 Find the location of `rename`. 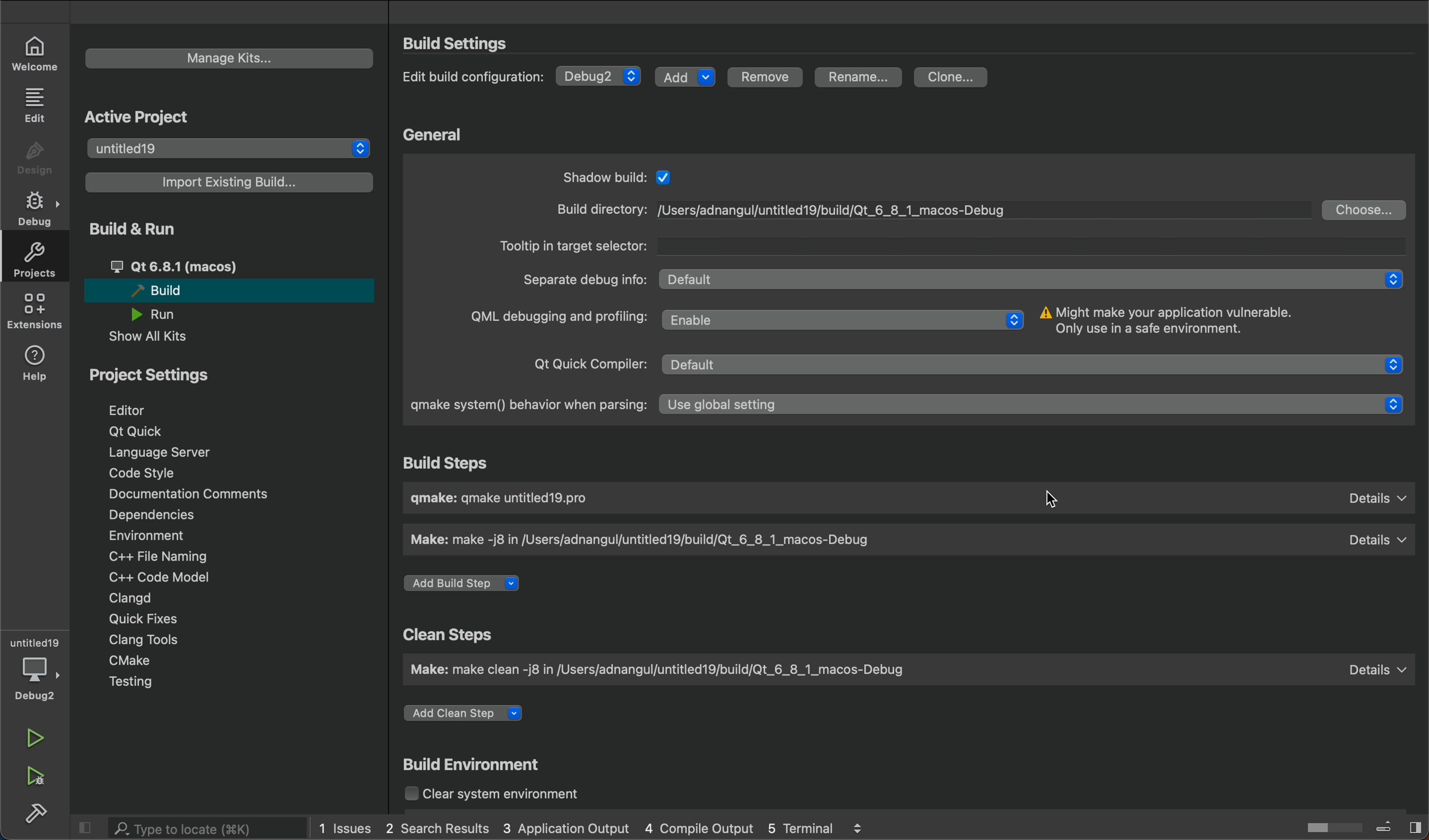

rename is located at coordinates (861, 78).